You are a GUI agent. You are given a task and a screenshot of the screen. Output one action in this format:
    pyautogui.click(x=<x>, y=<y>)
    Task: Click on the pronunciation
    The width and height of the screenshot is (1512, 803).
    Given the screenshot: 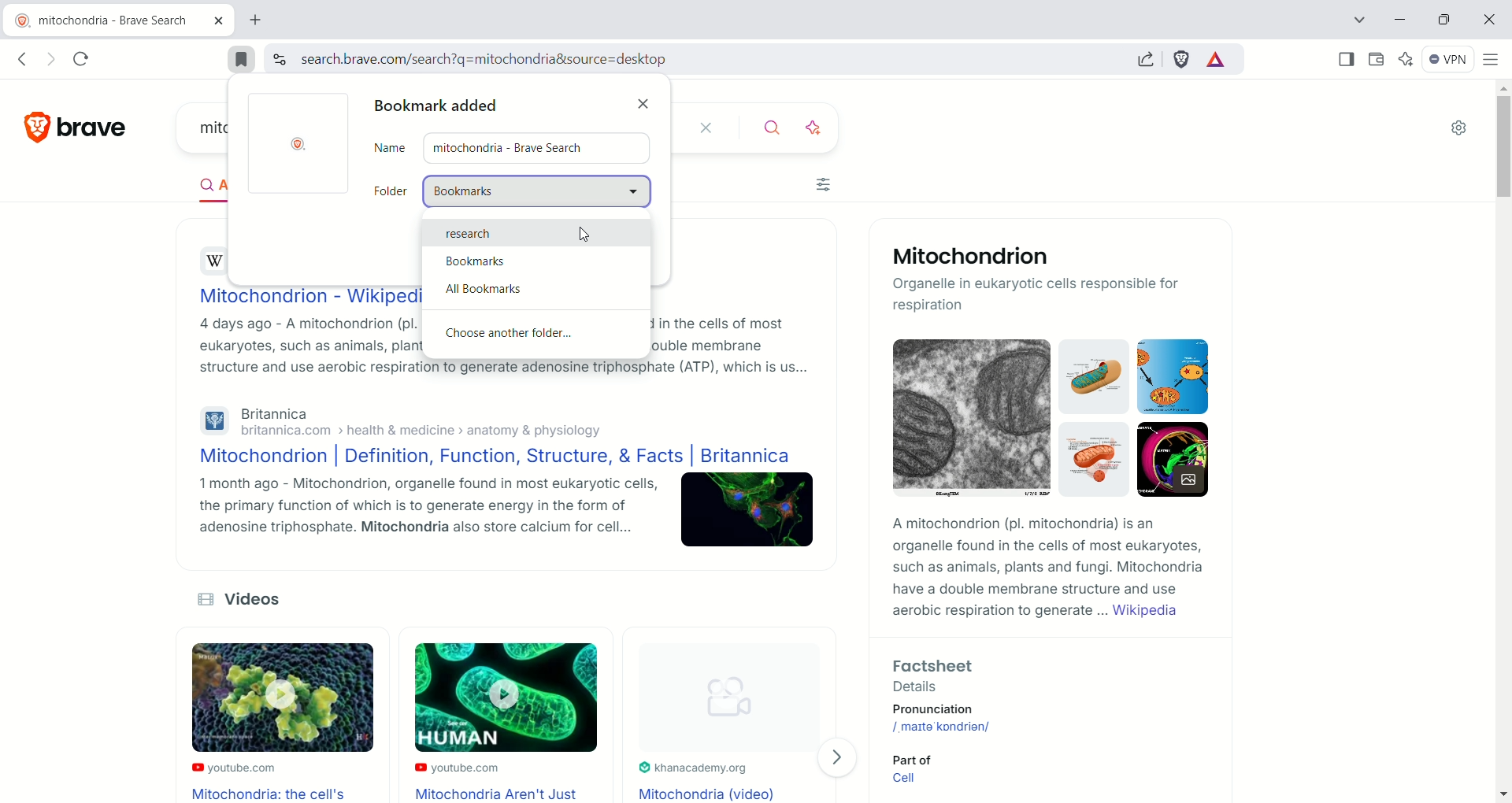 What is the action you would take?
    pyautogui.click(x=956, y=709)
    